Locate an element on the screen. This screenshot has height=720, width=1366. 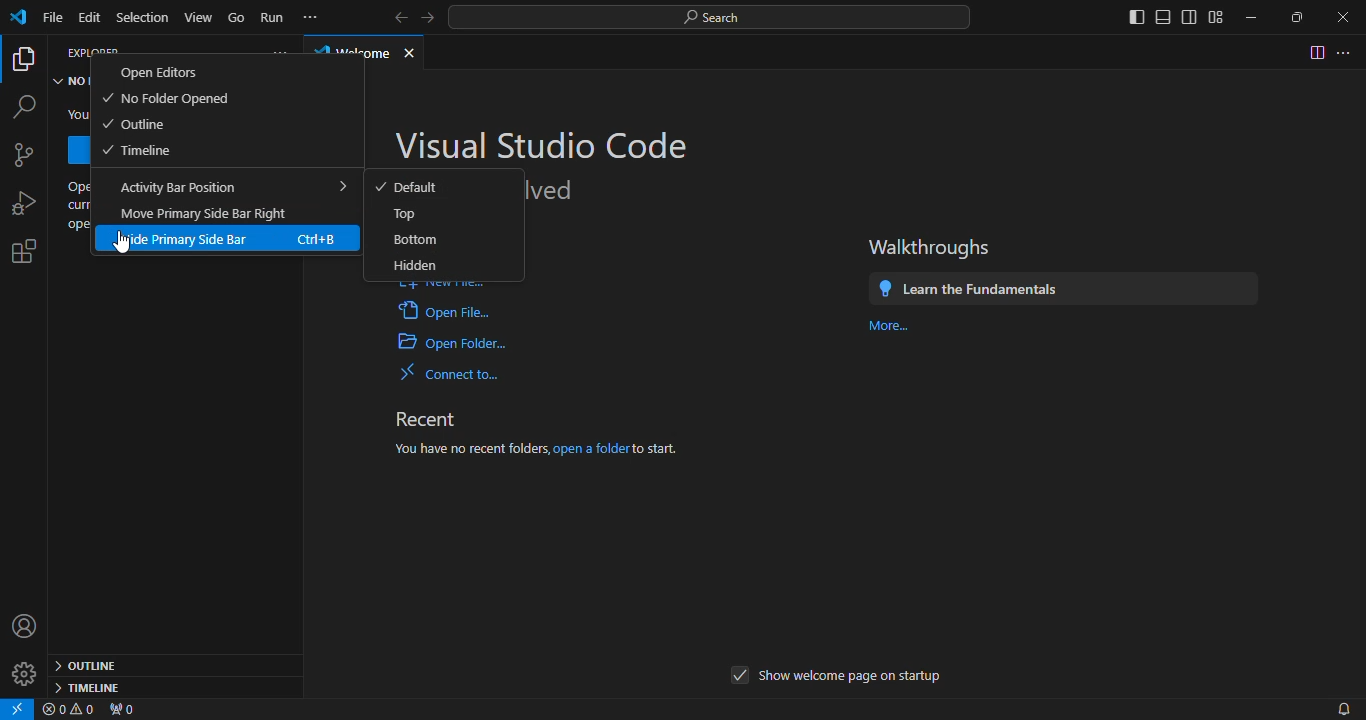
Open Folder is located at coordinates (454, 344).